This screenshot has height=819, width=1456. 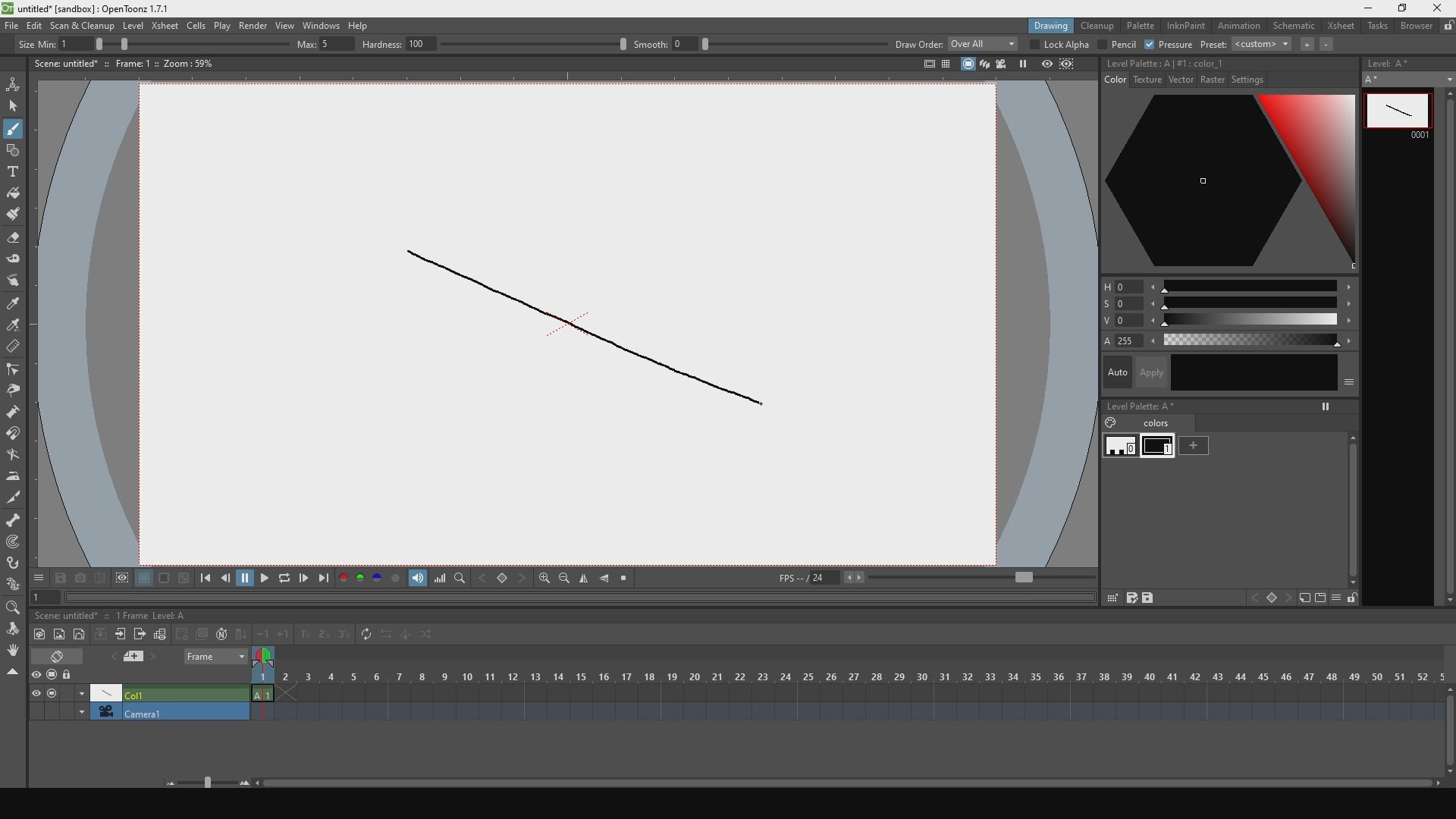 I want to click on color, so click(x=1112, y=80).